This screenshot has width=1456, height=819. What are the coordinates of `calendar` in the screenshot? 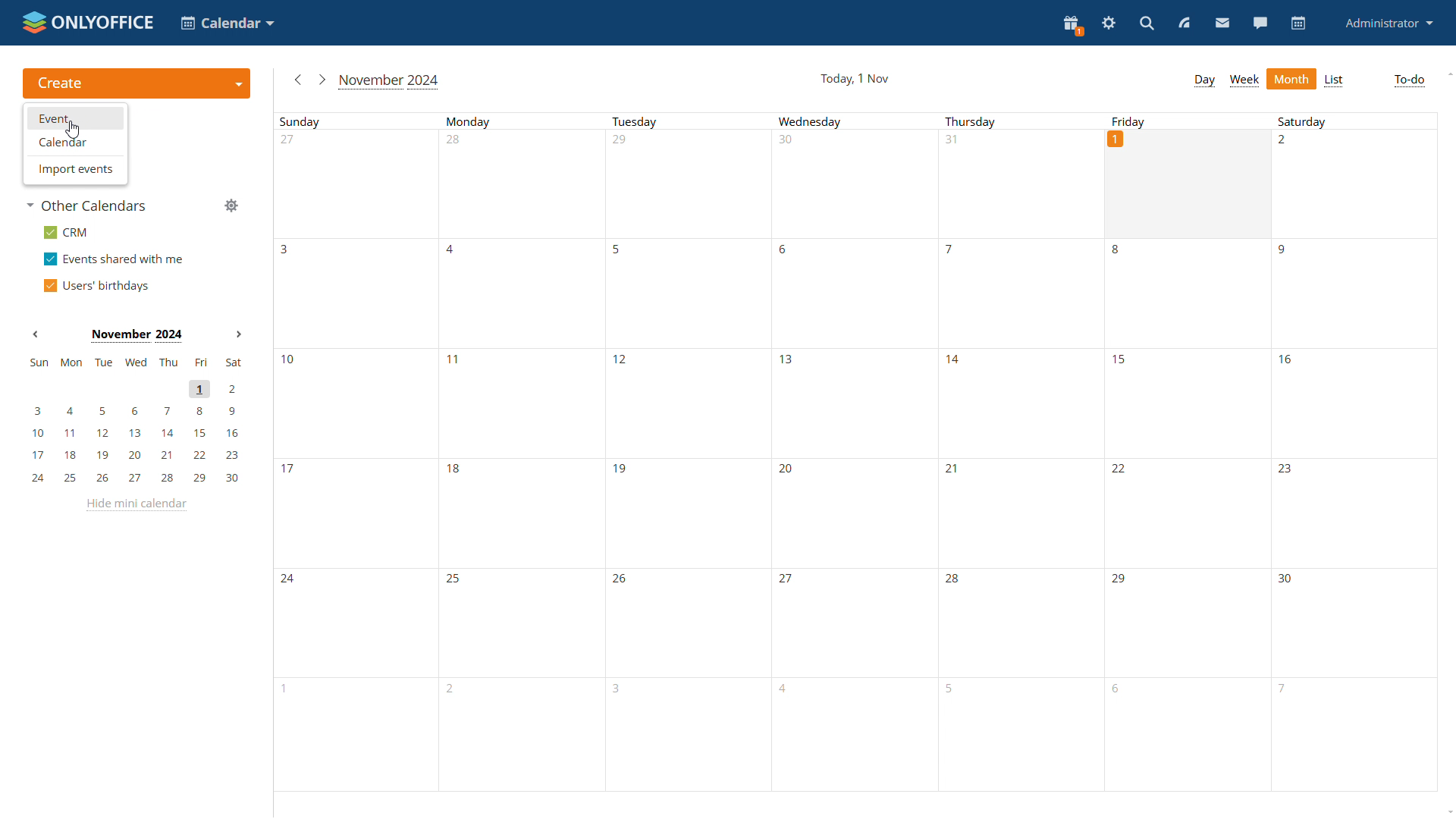 It's located at (75, 143).